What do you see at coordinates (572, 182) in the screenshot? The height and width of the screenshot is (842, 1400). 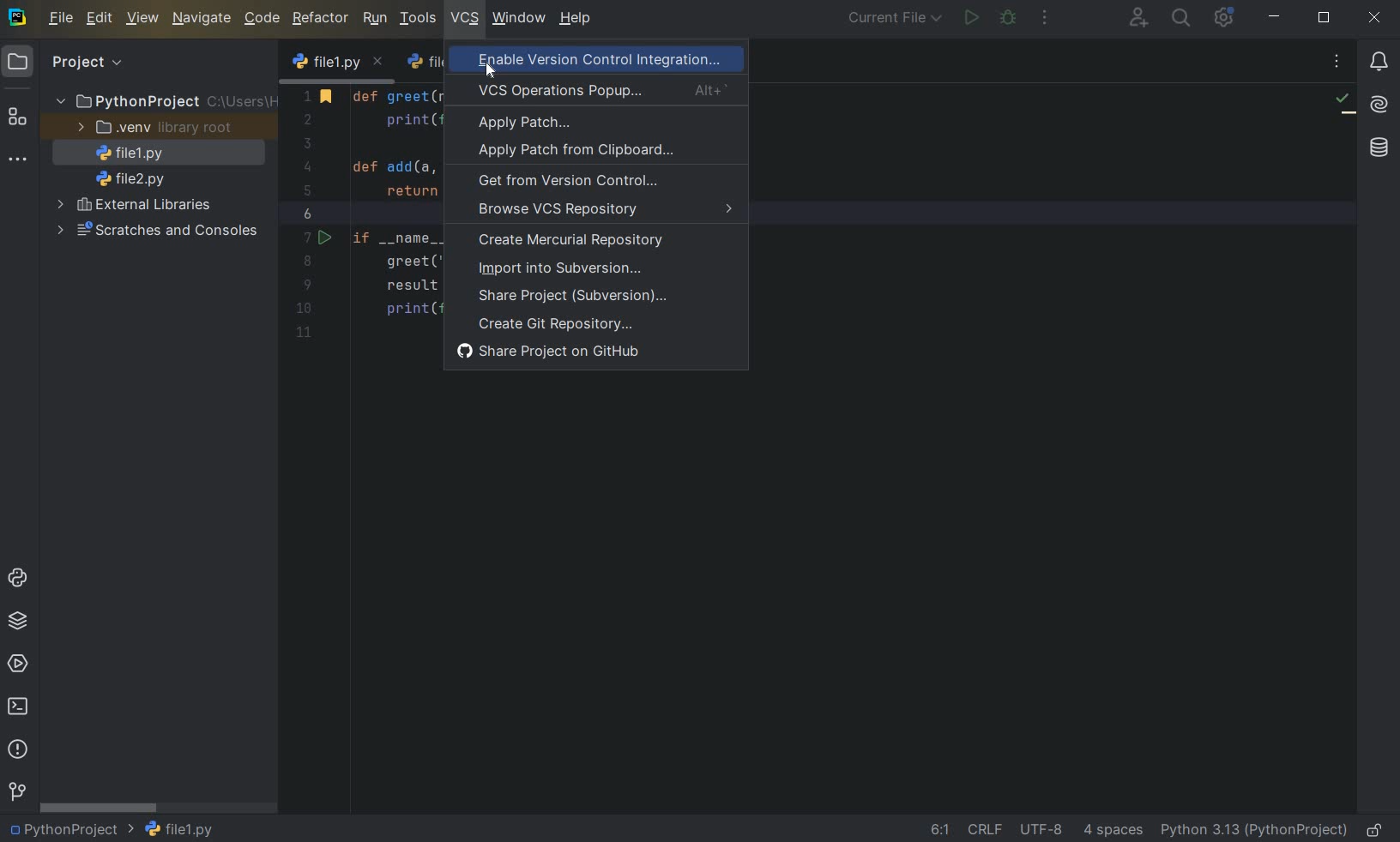 I see `get from version control` at bounding box center [572, 182].